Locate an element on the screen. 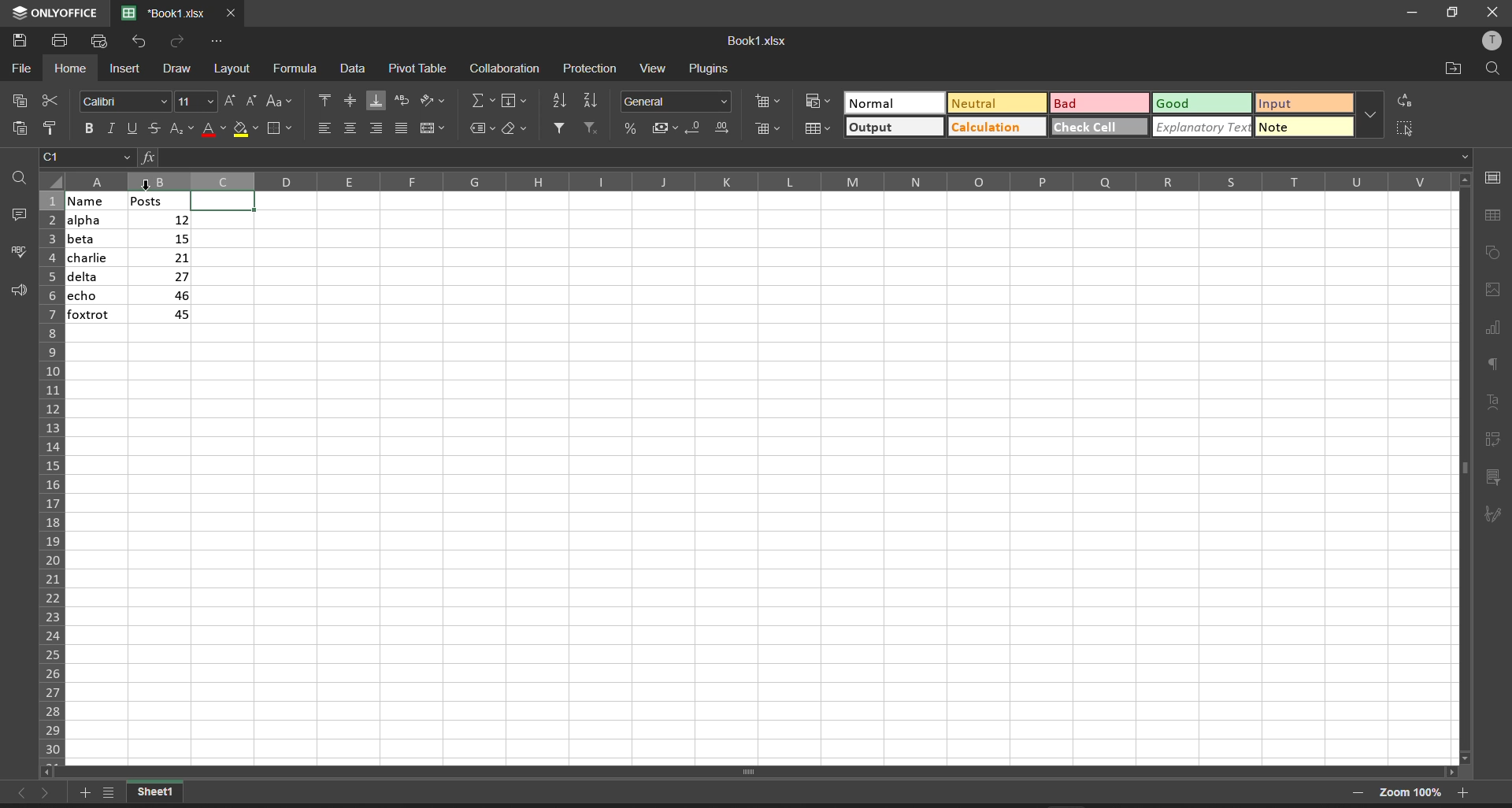 Image resolution: width=1512 pixels, height=808 pixels. undo is located at coordinates (140, 42).